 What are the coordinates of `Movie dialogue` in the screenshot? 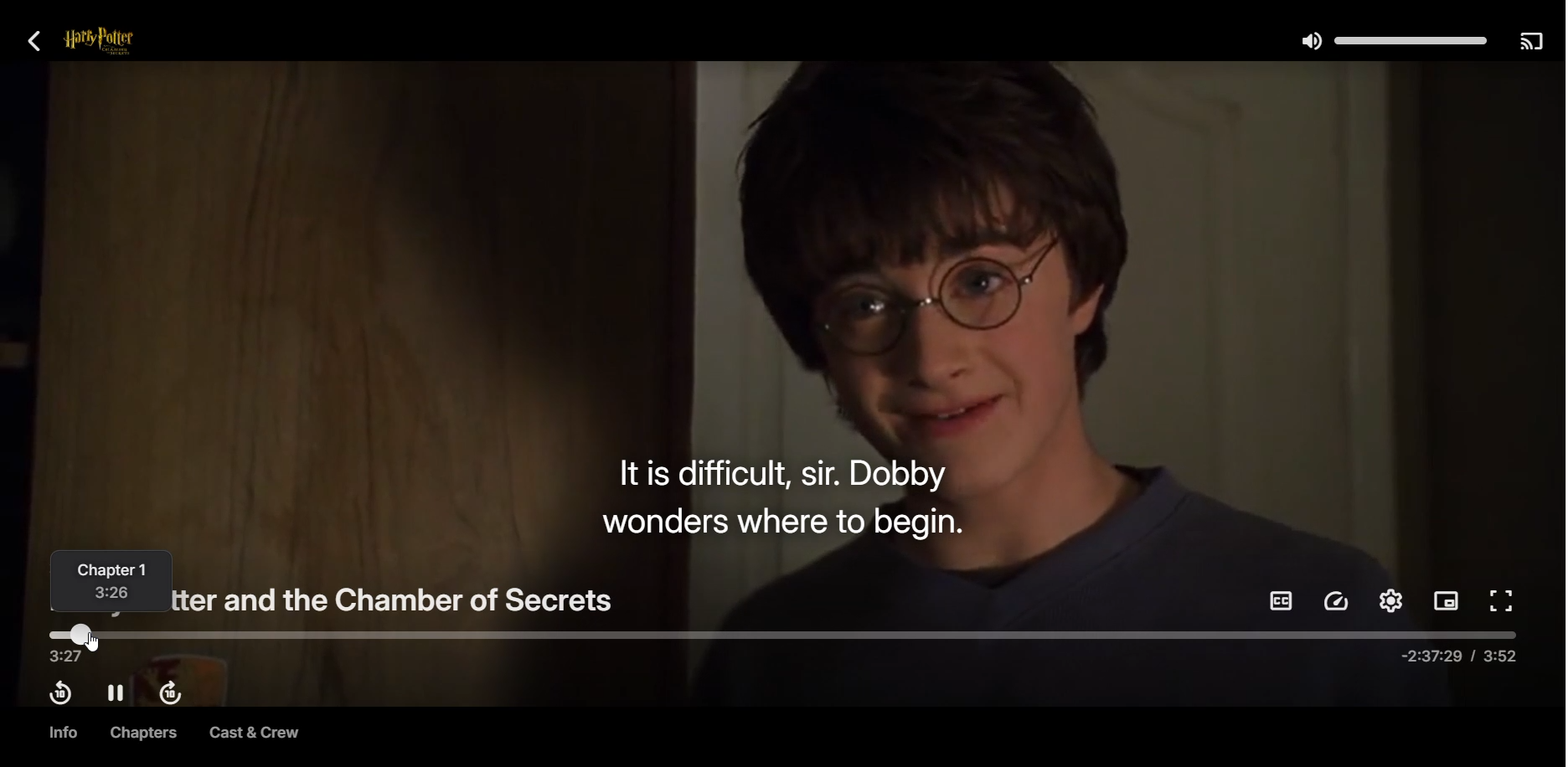 It's located at (781, 495).